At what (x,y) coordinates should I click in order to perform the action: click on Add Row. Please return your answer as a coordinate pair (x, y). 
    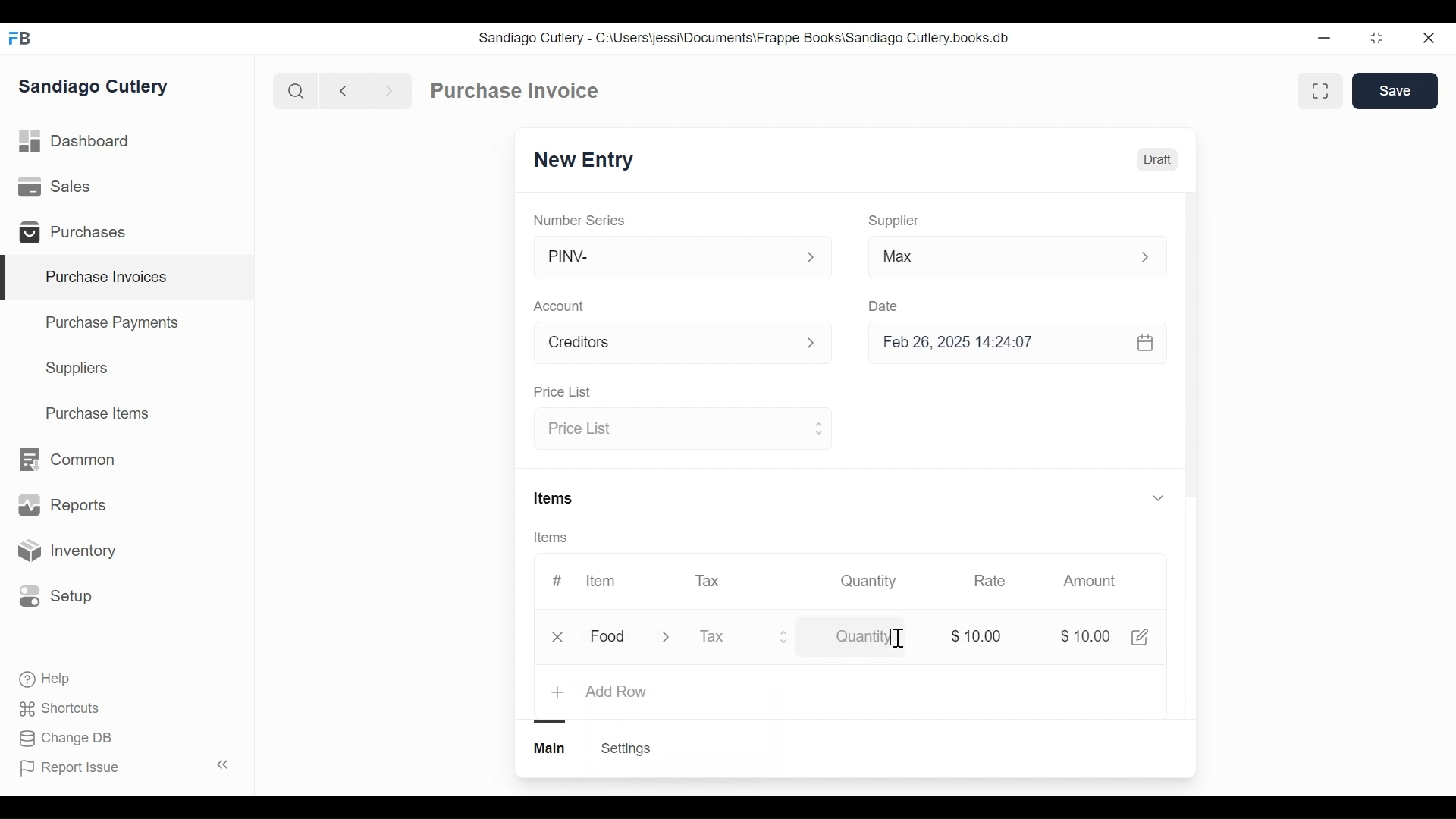
    Looking at the image, I should click on (617, 692).